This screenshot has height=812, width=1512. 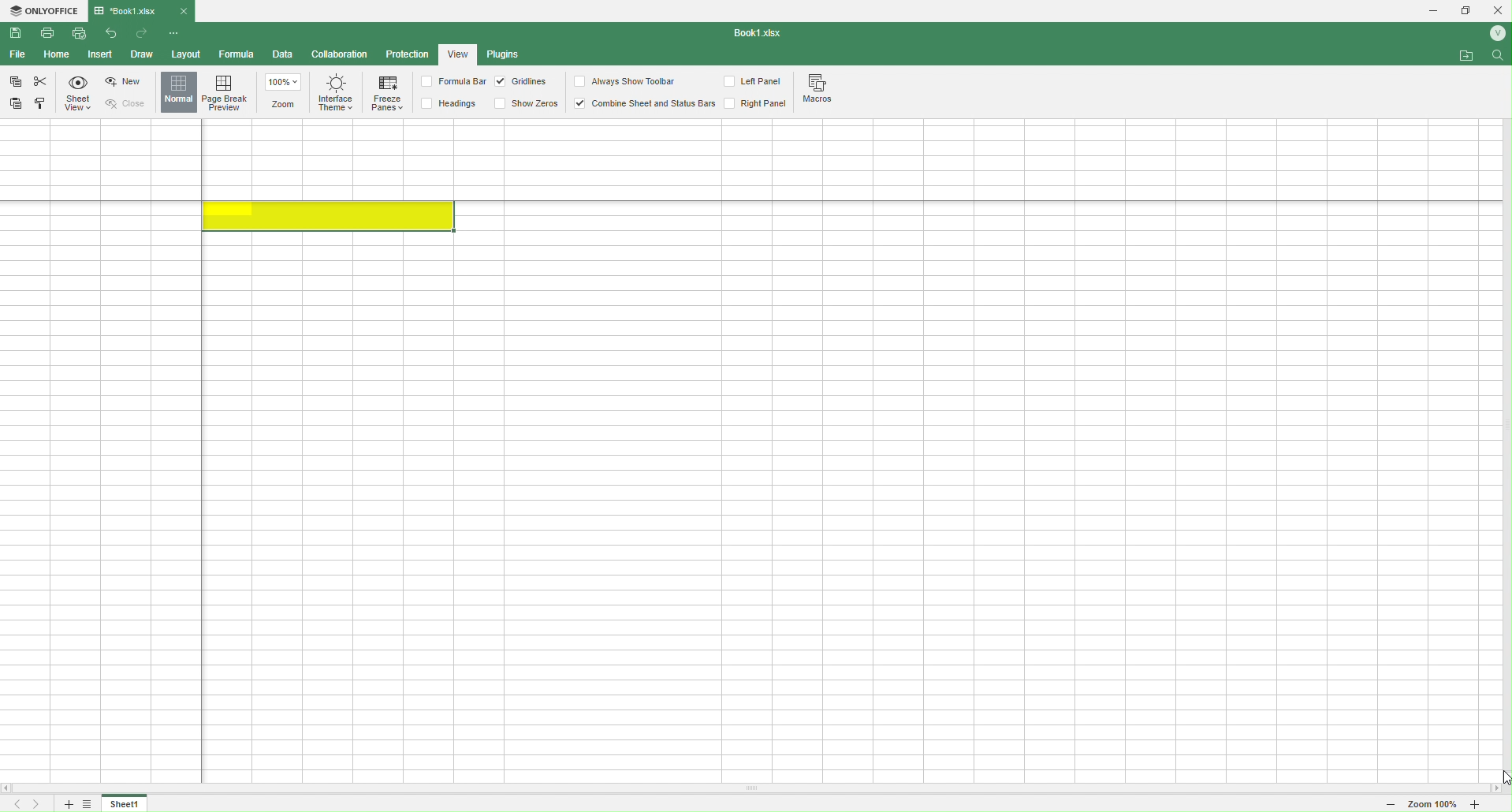 I want to click on Cut, so click(x=40, y=81).